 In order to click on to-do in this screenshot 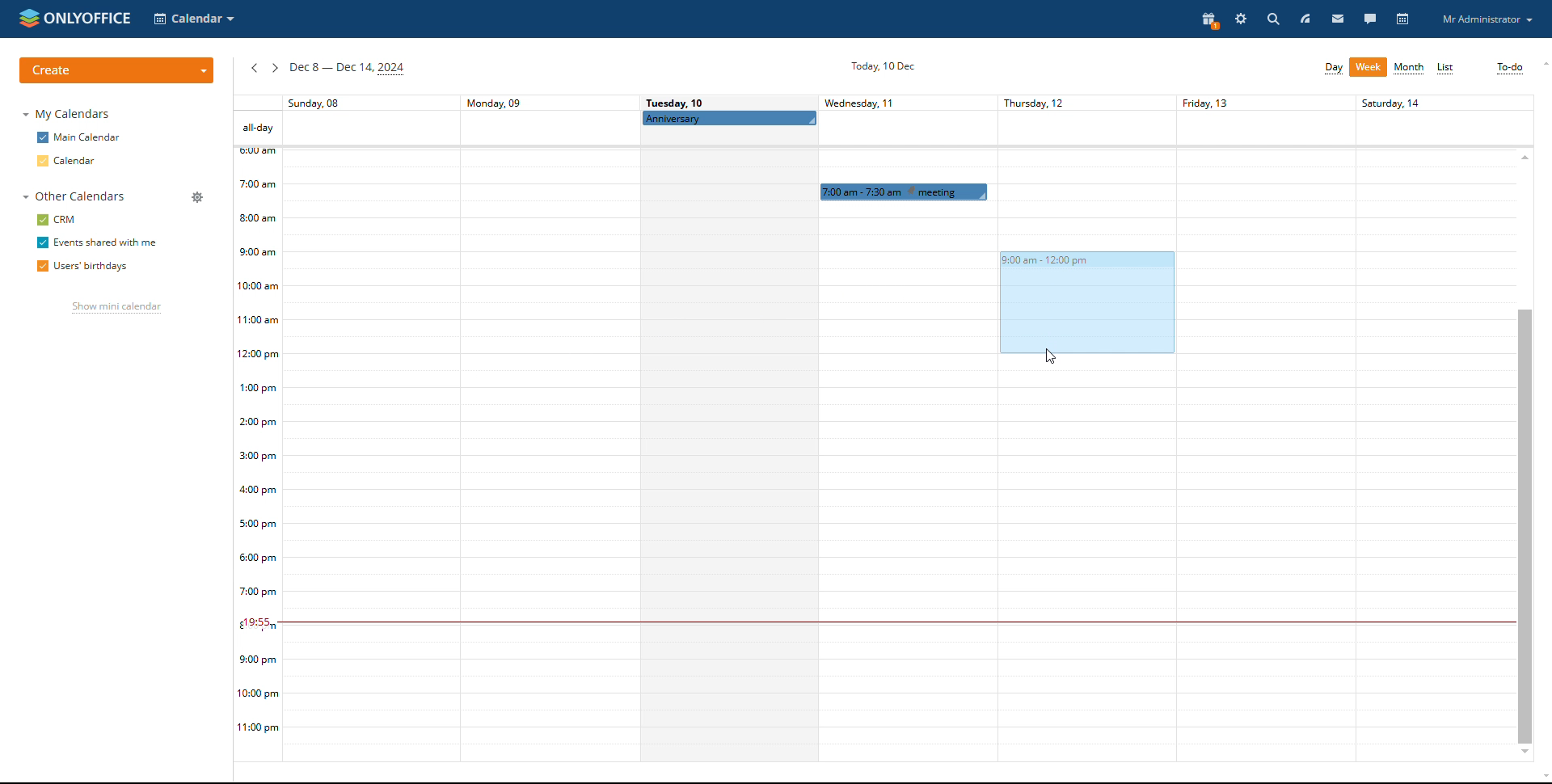, I will do `click(1509, 68)`.